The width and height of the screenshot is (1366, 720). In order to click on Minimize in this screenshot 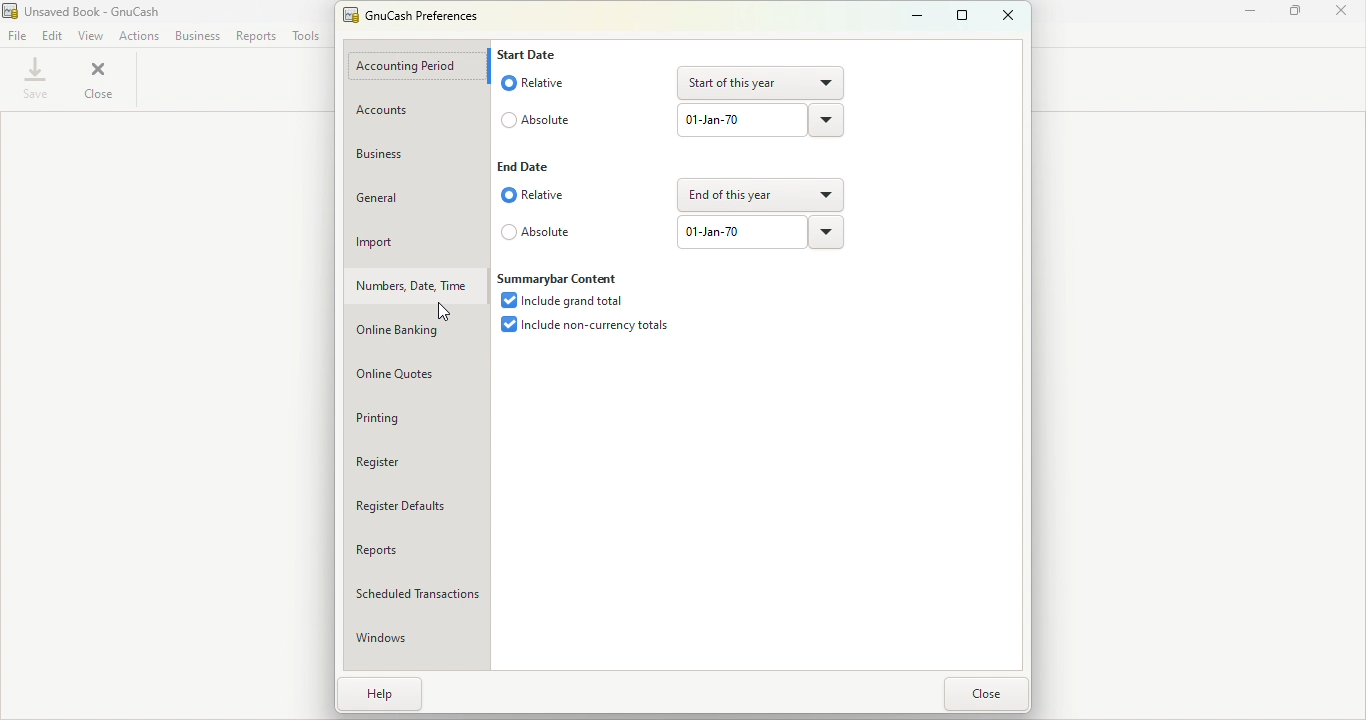, I will do `click(1241, 13)`.